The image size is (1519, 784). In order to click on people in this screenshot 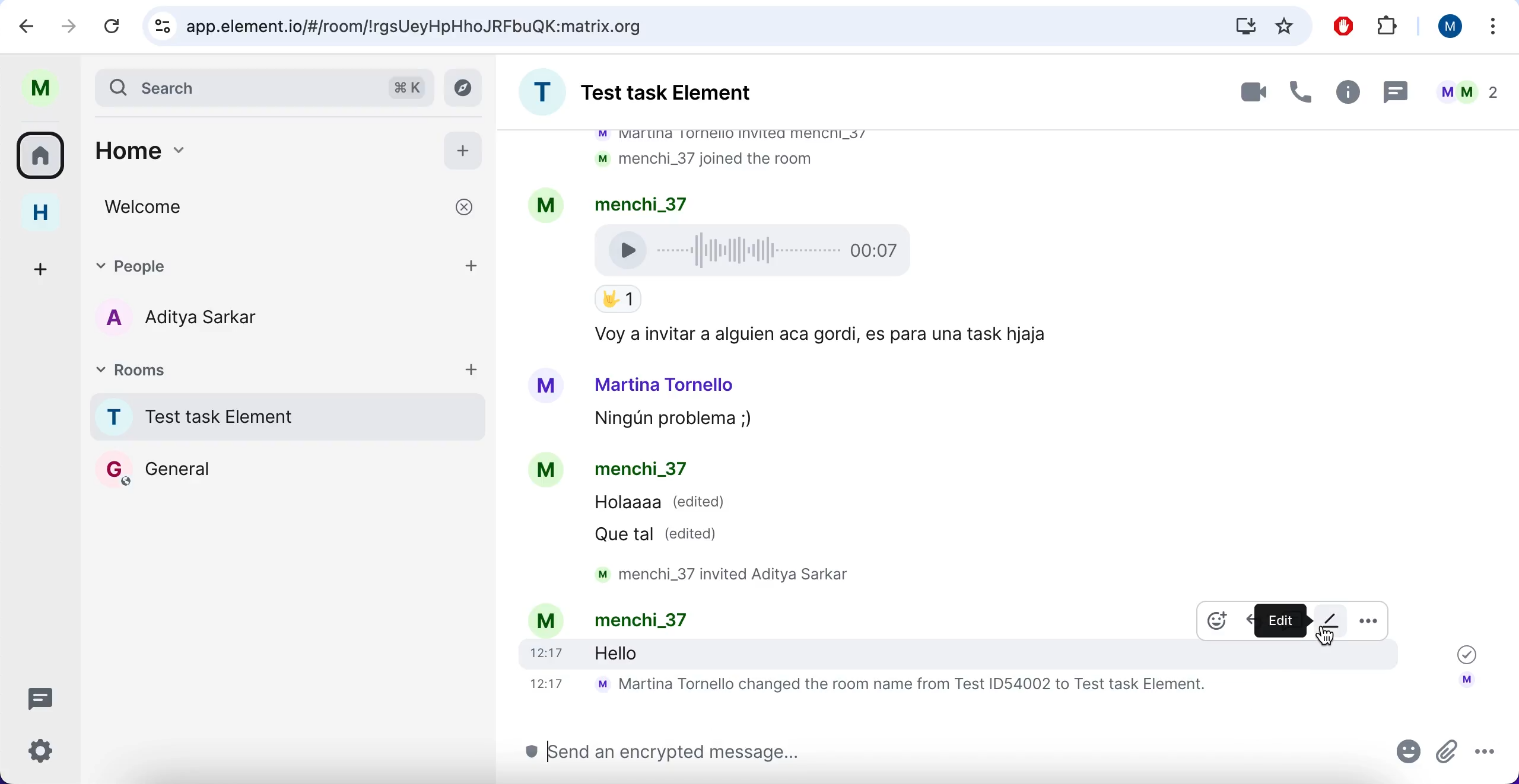, I will do `click(263, 264)`.